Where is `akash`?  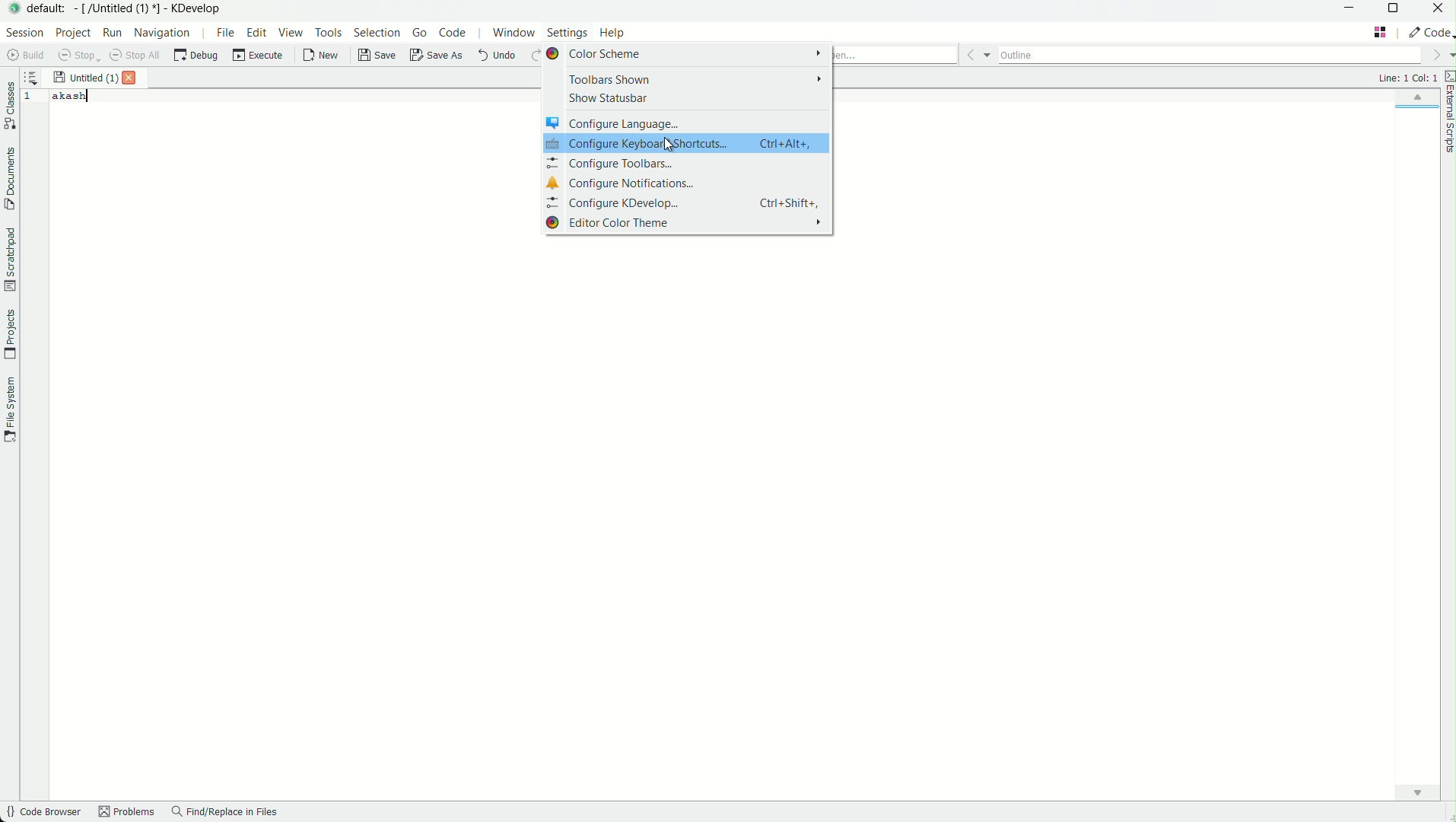
akash is located at coordinates (71, 96).